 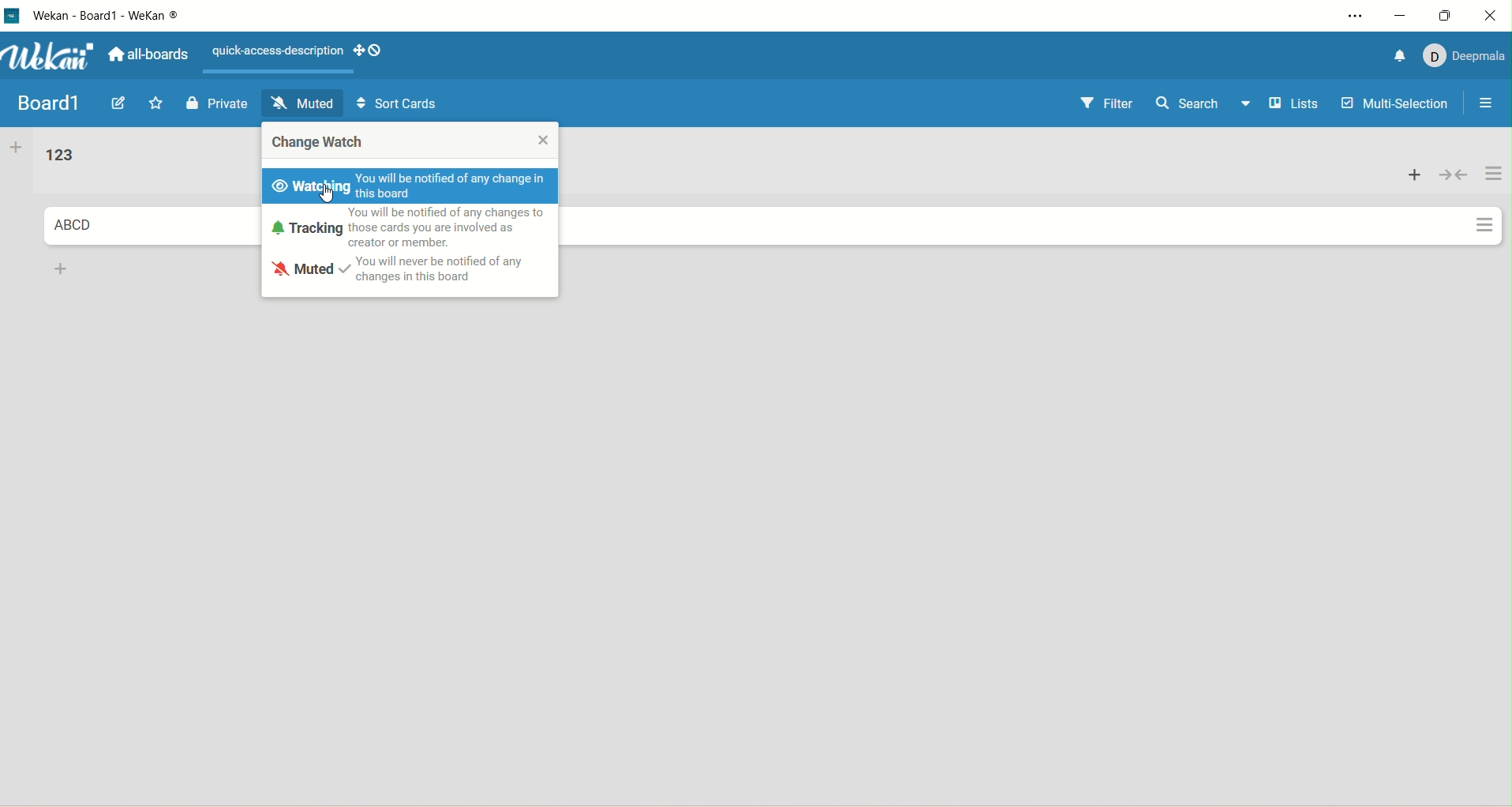 I want to click on selected watching, so click(x=312, y=187).